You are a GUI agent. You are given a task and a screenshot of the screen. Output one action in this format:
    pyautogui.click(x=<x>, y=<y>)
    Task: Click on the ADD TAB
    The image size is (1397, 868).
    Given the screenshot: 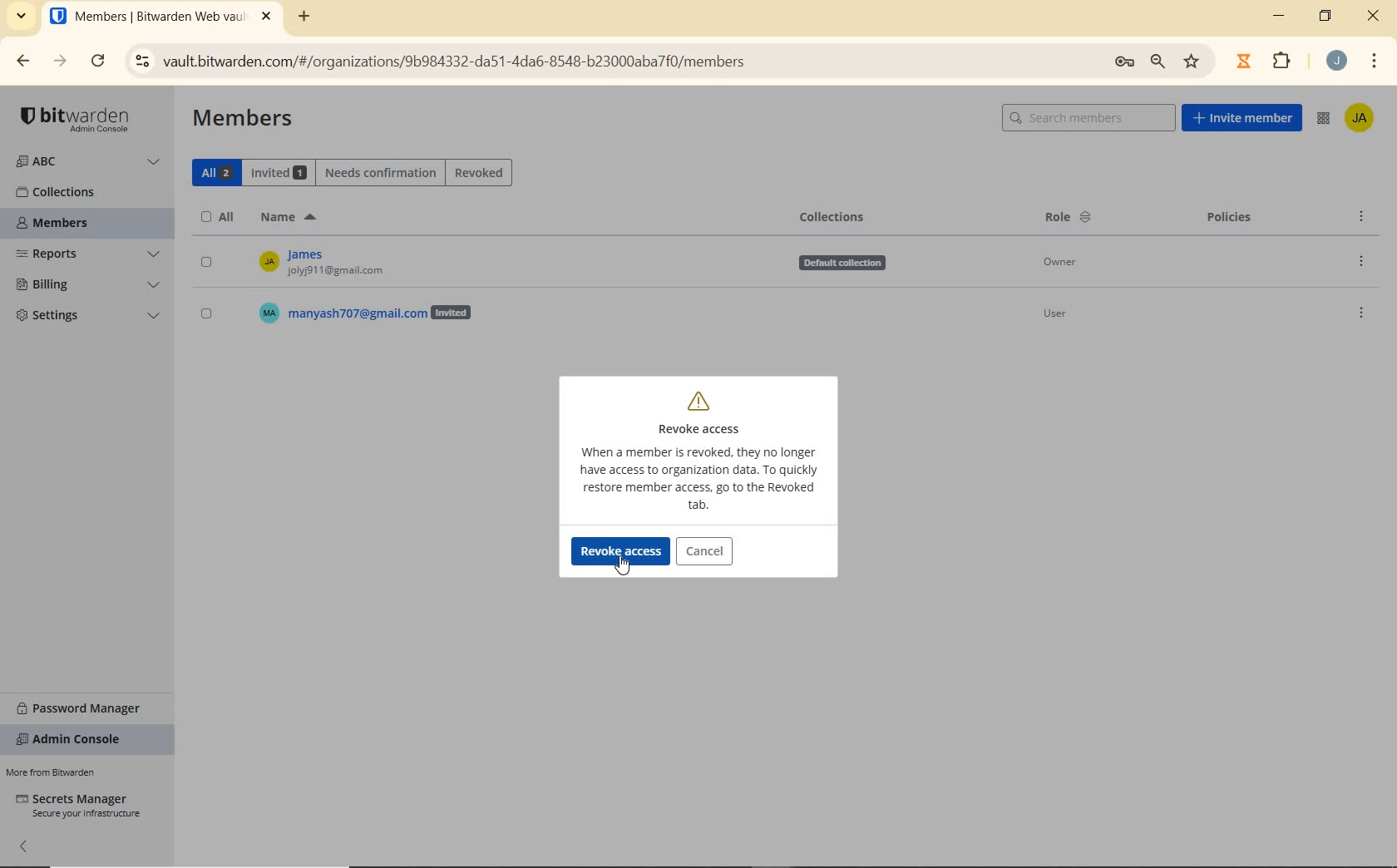 What is the action you would take?
    pyautogui.click(x=301, y=18)
    